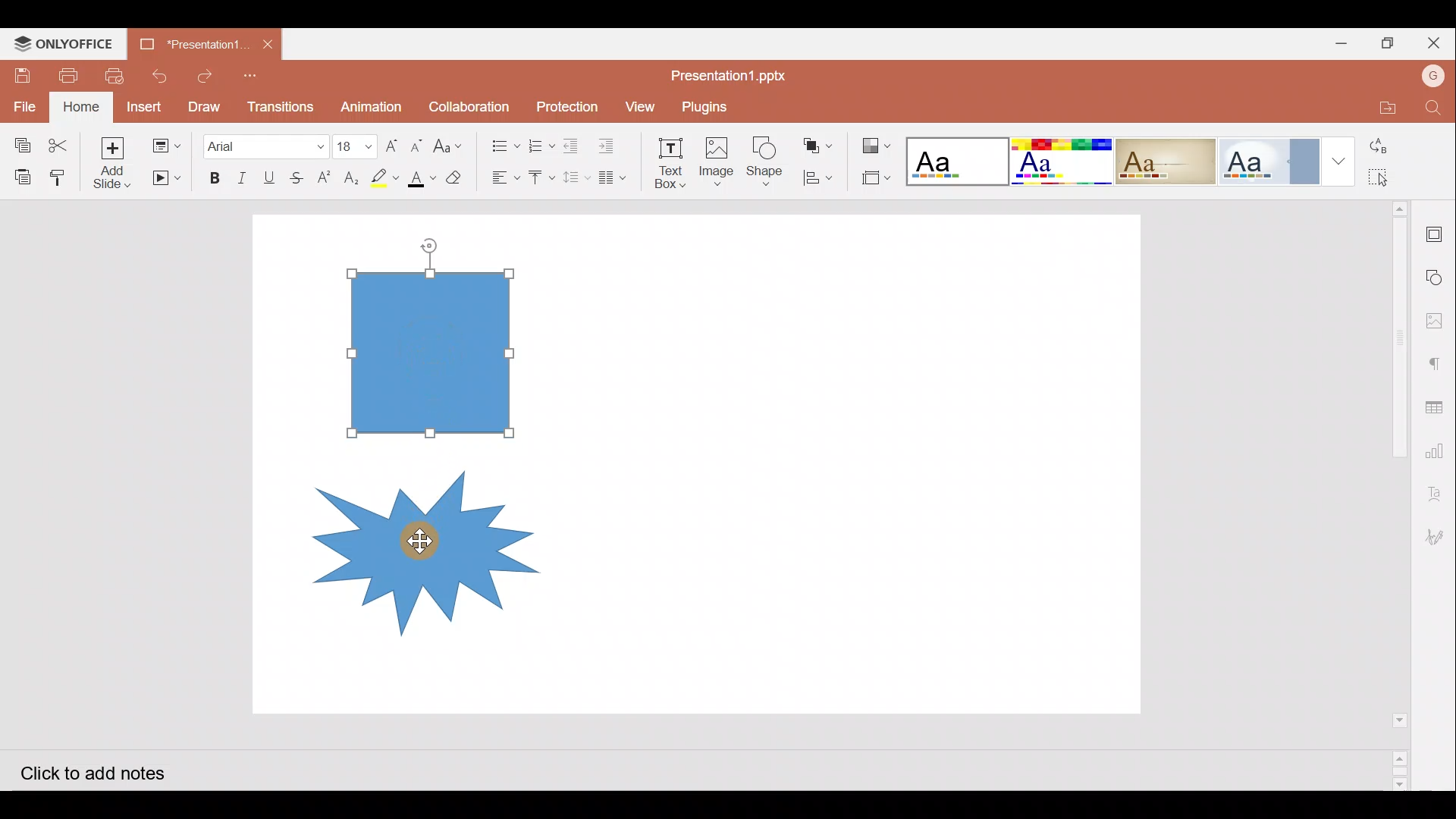  What do you see at coordinates (279, 103) in the screenshot?
I see `Transitions` at bounding box center [279, 103].